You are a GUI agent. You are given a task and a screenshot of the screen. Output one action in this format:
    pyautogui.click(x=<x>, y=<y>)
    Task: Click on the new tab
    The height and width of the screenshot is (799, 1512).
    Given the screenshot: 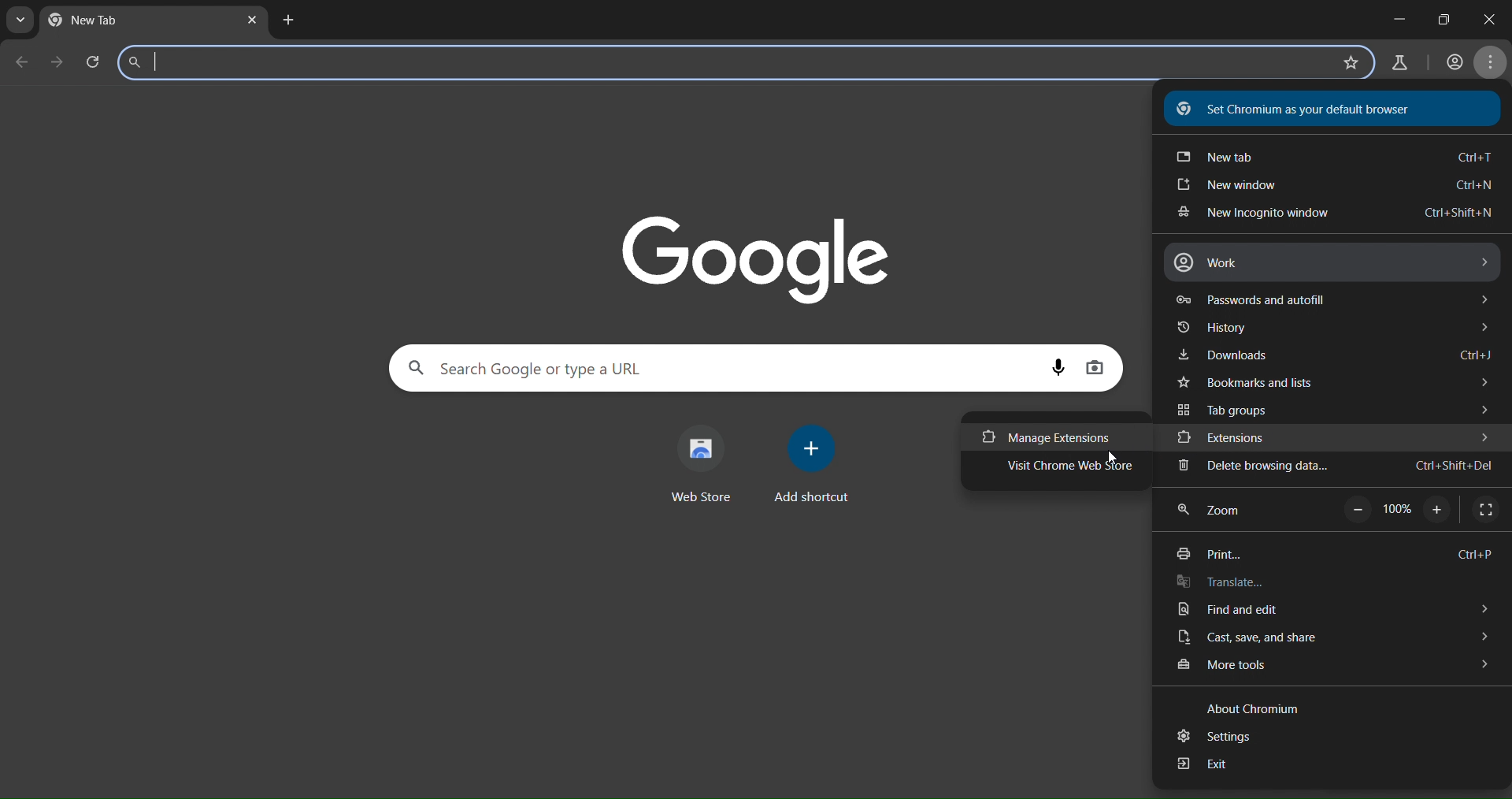 What is the action you would take?
    pyautogui.click(x=287, y=20)
    